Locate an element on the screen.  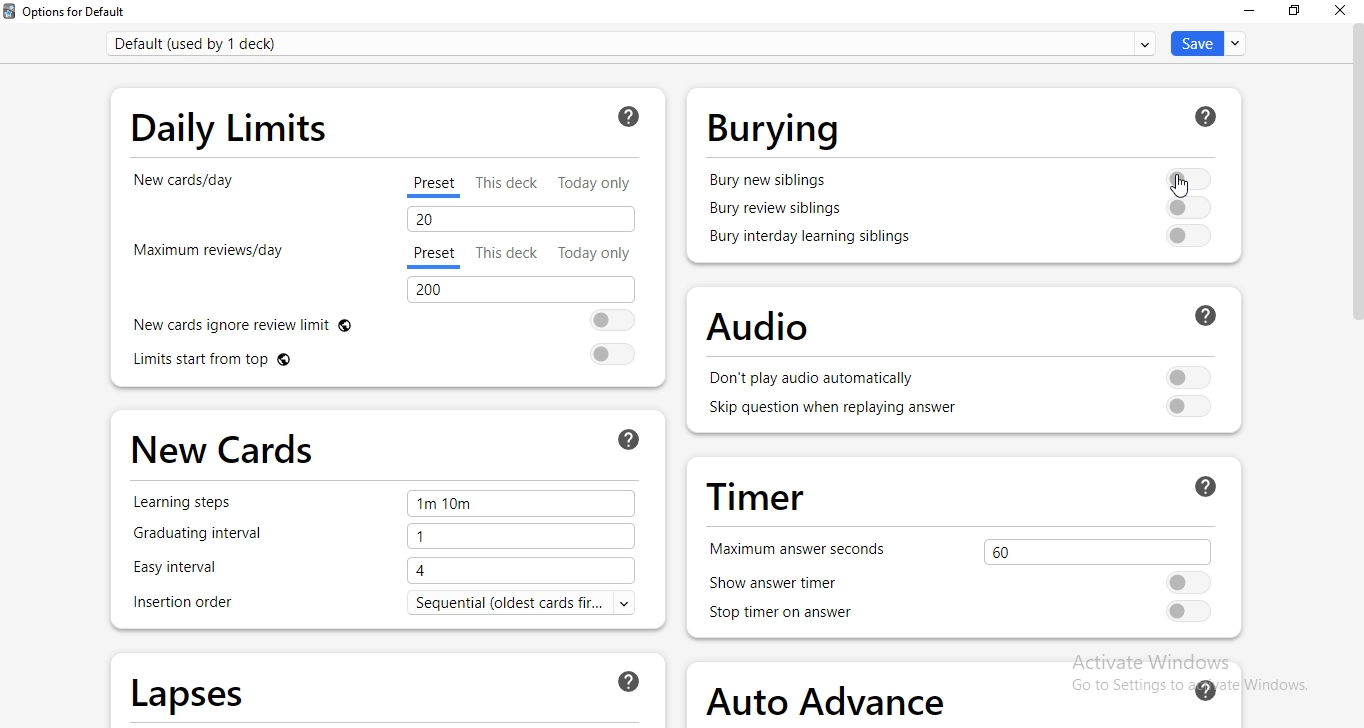
minimise is located at coordinates (1247, 12).